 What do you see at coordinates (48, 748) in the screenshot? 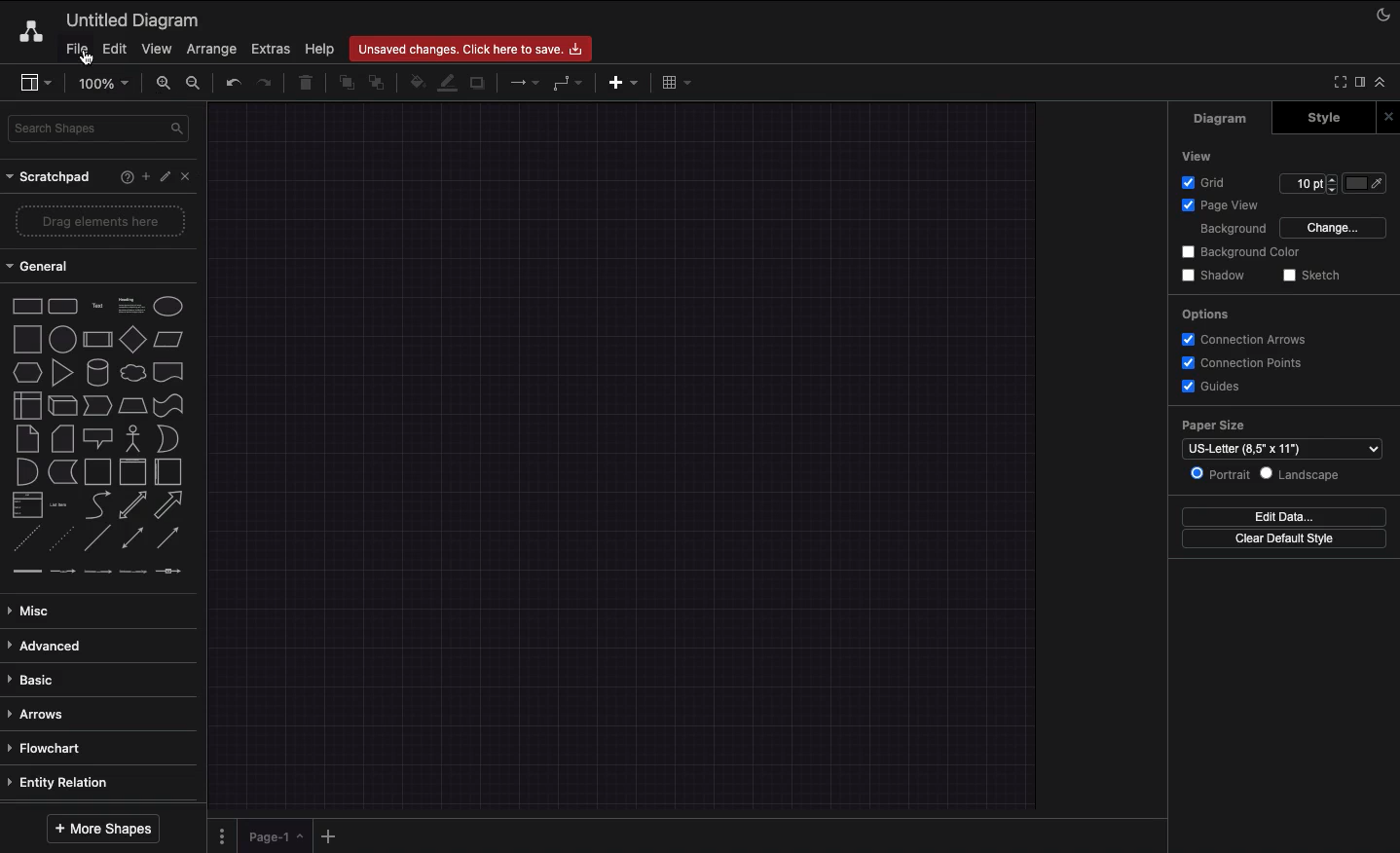
I see `Flowchart` at bounding box center [48, 748].